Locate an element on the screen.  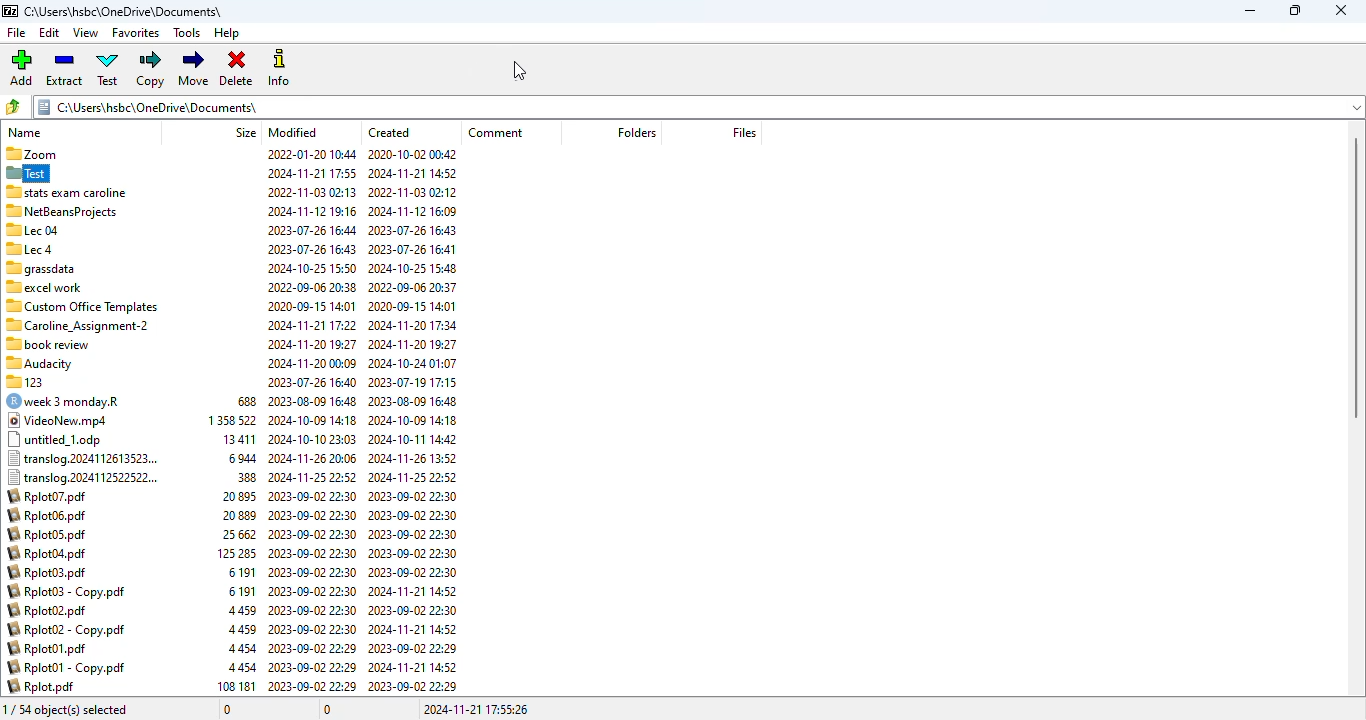
2024-11-21 17:55:26 is located at coordinates (476, 709).